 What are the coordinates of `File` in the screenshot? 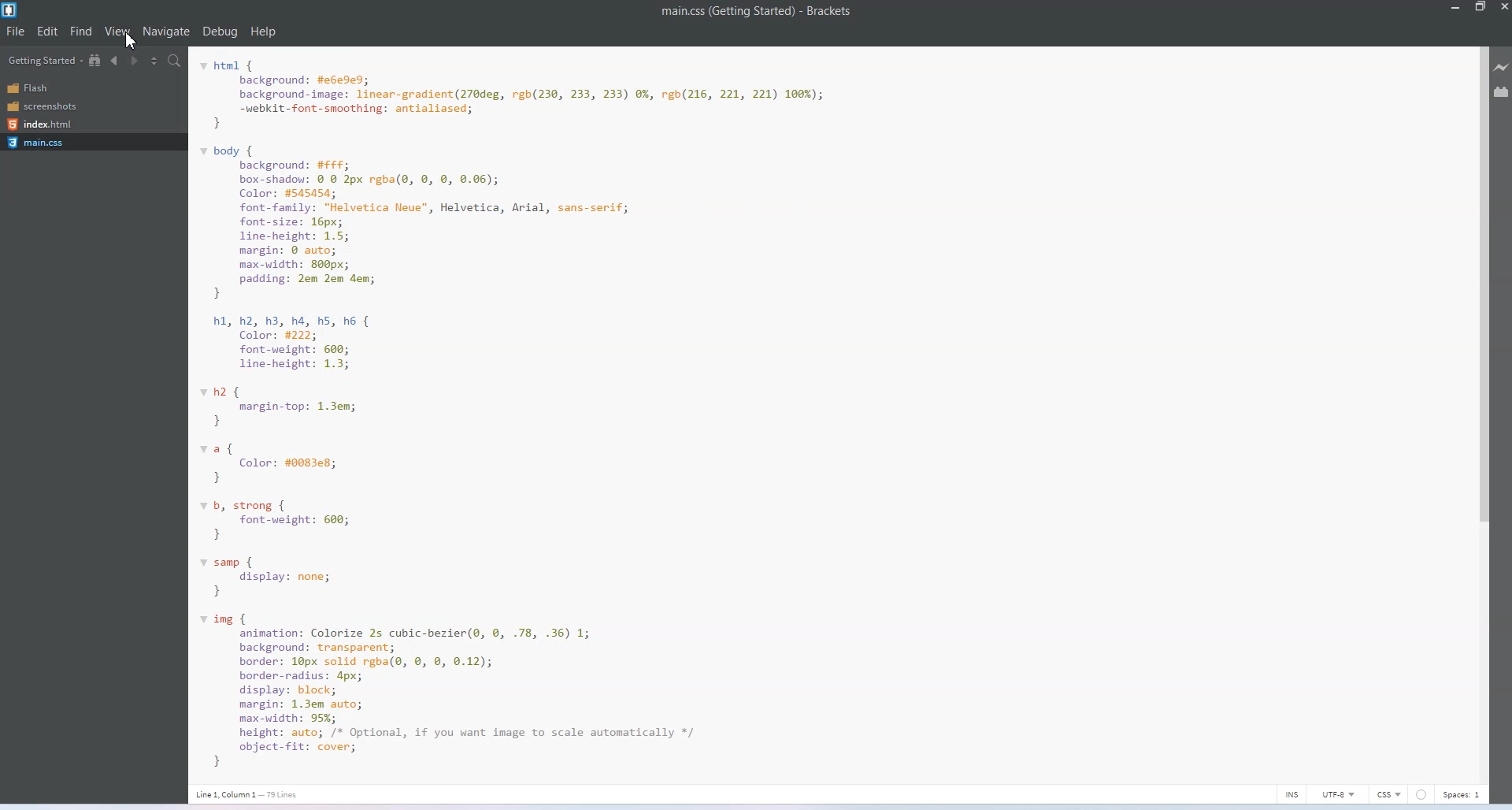 It's located at (17, 31).